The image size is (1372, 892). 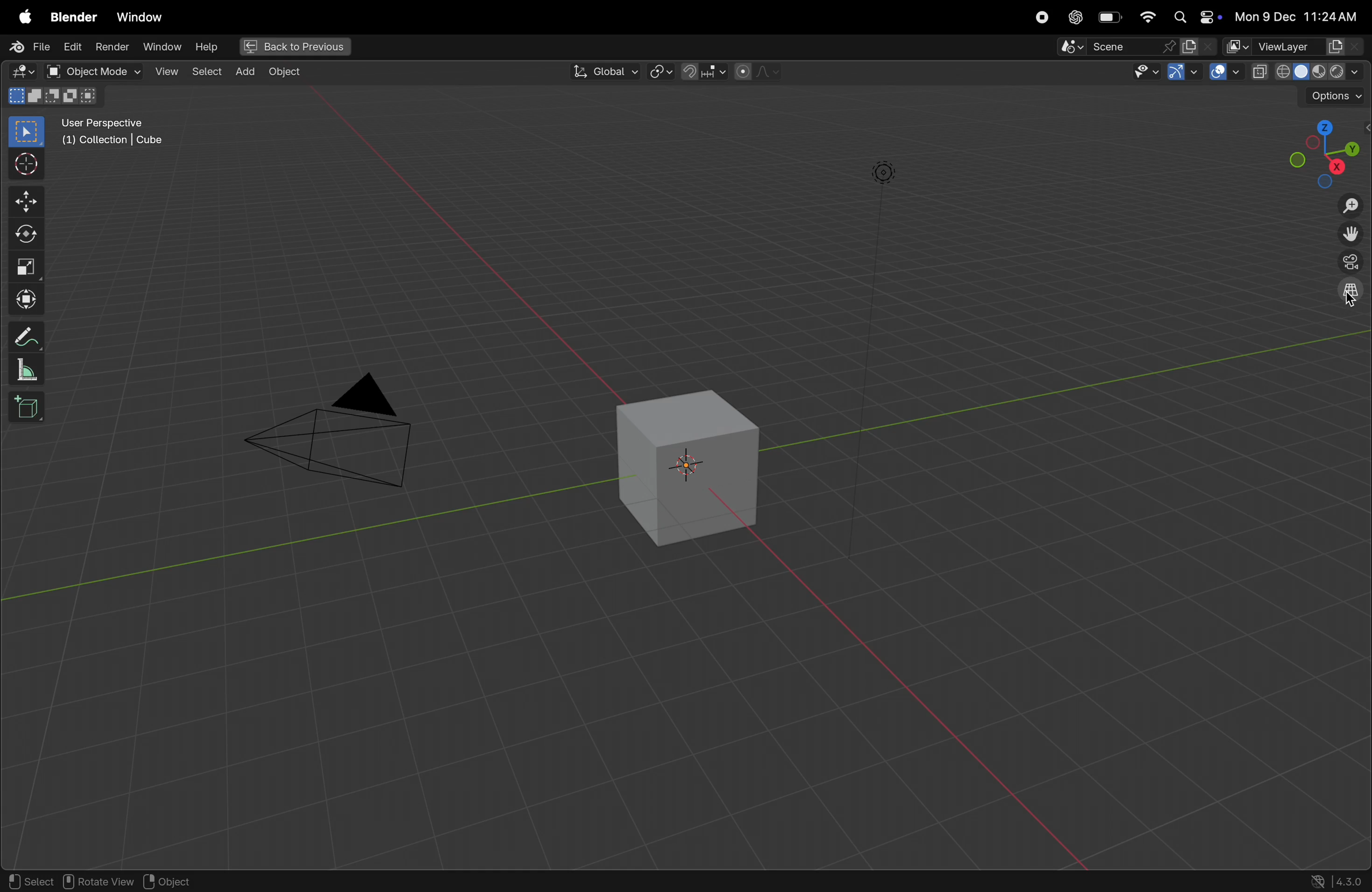 What do you see at coordinates (336, 435) in the screenshot?
I see `camera` at bounding box center [336, 435].